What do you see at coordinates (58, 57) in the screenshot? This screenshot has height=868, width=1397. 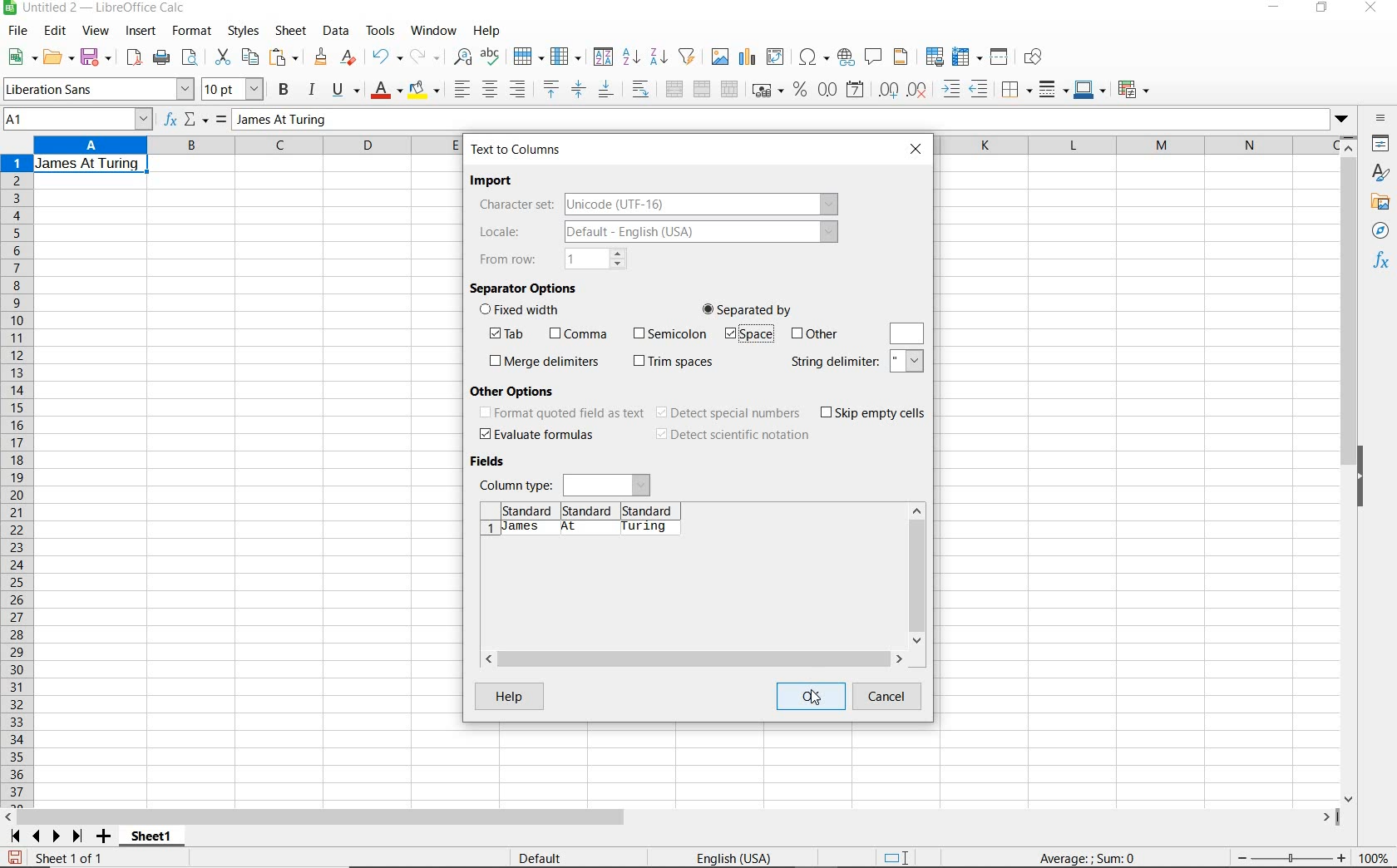 I see `open` at bounding box center [58, 57].